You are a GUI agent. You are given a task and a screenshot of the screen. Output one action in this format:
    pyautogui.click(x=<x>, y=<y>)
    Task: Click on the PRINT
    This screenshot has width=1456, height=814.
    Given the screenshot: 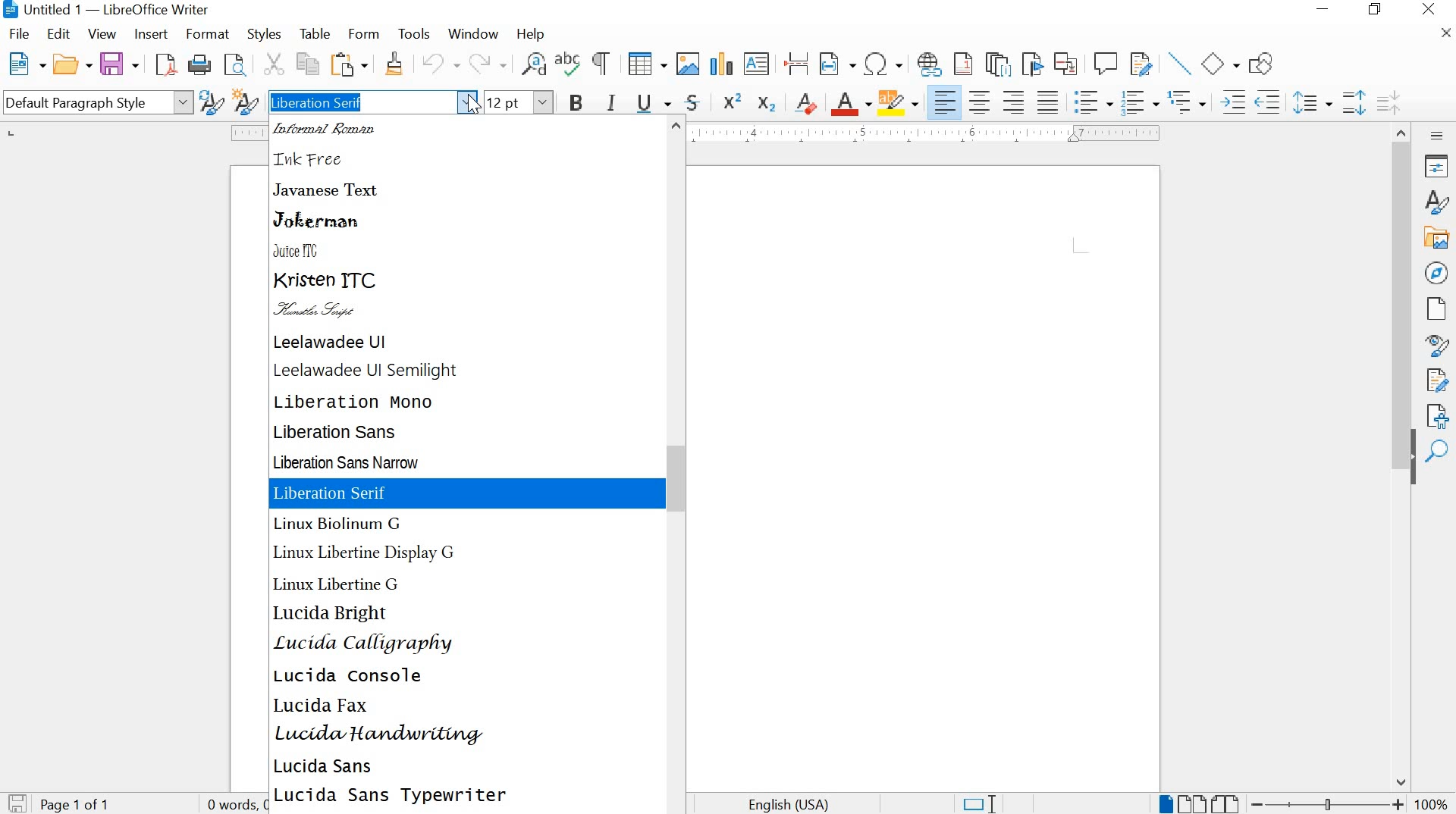 What is the action you would take?
    pyautogui.click(x=199, y=65)
    